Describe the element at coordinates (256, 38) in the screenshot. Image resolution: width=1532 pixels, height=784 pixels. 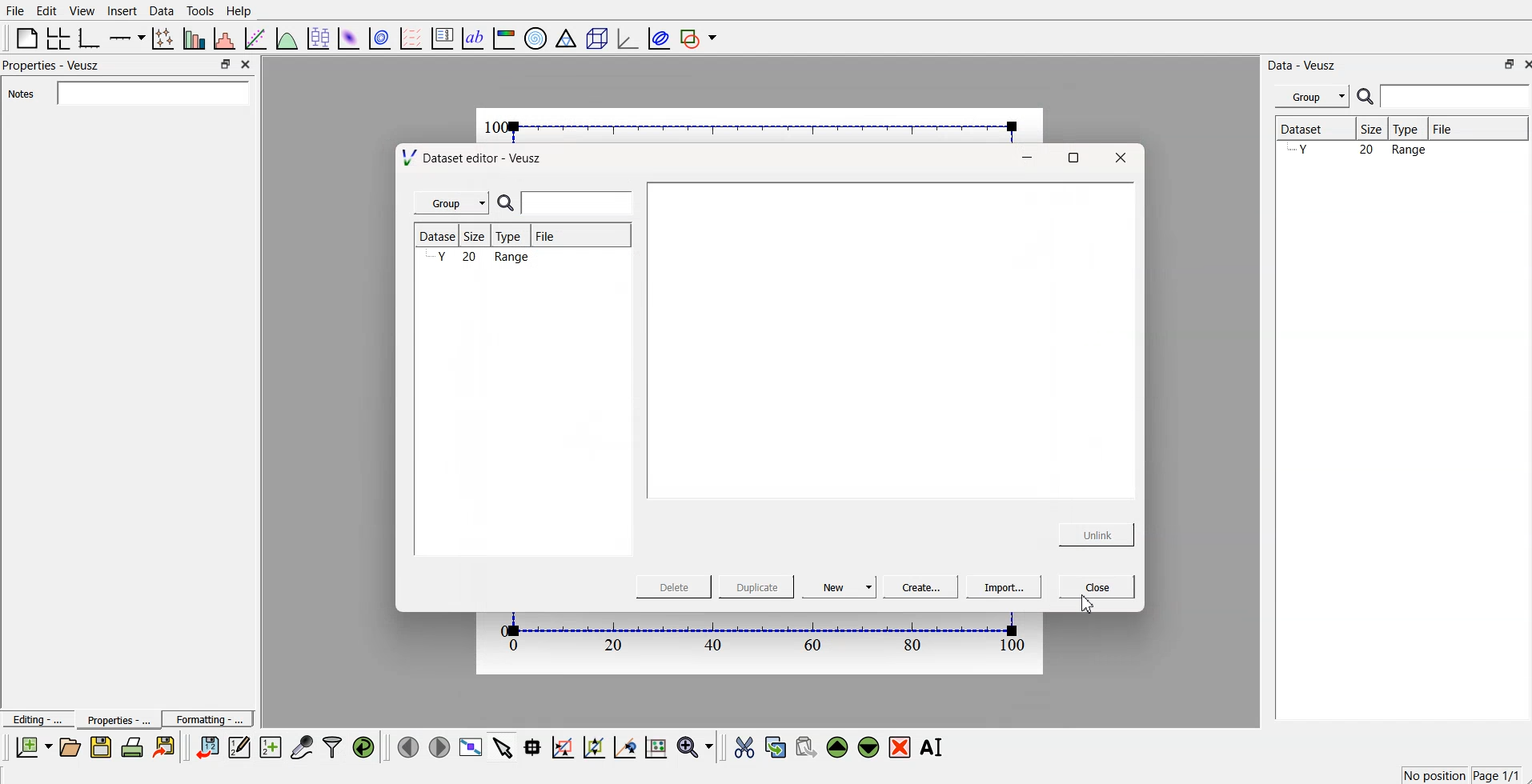
I see `fit a function to data` at that location.